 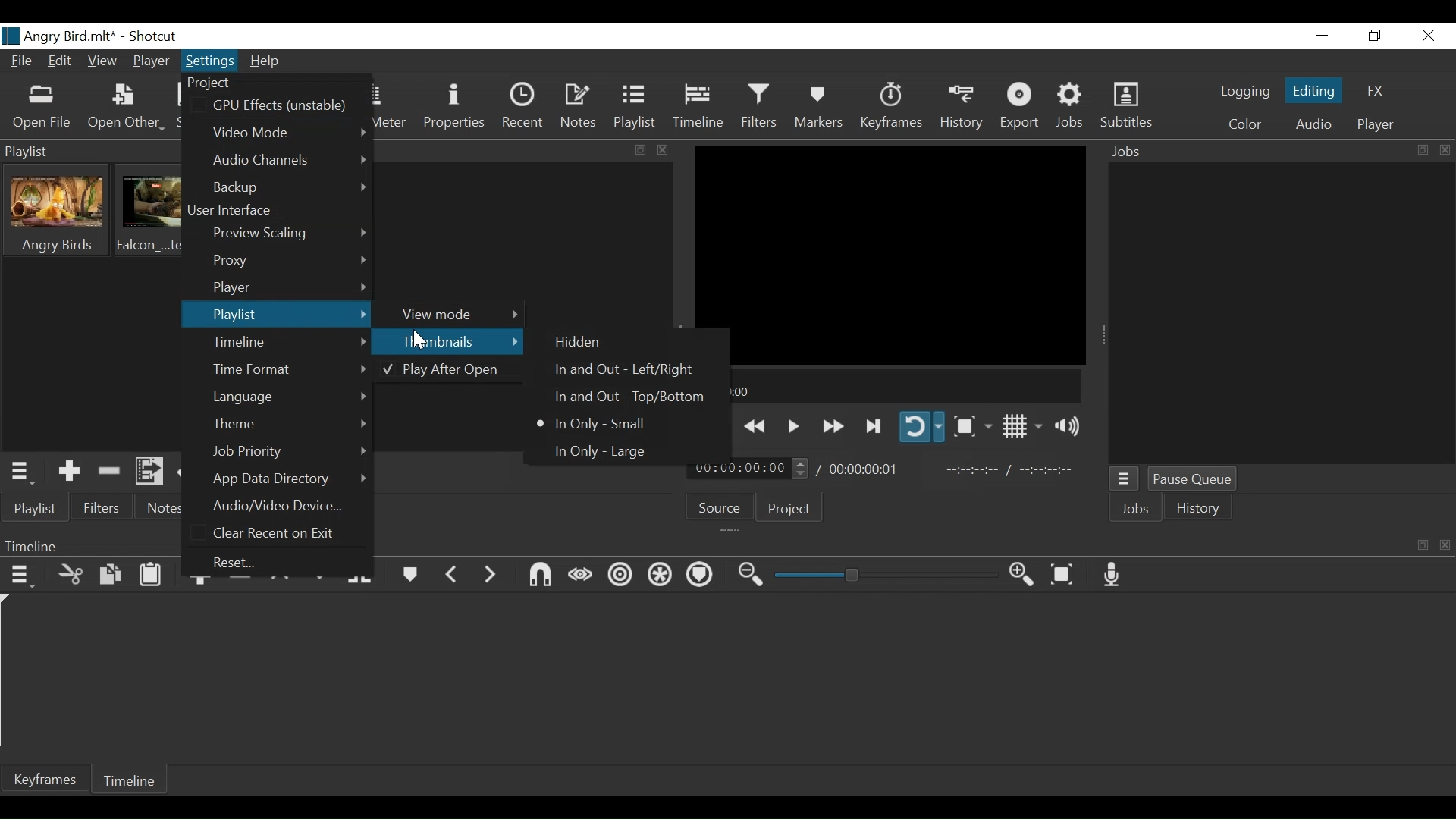 I want to click on Keyframe, so click(x=890, y=108).